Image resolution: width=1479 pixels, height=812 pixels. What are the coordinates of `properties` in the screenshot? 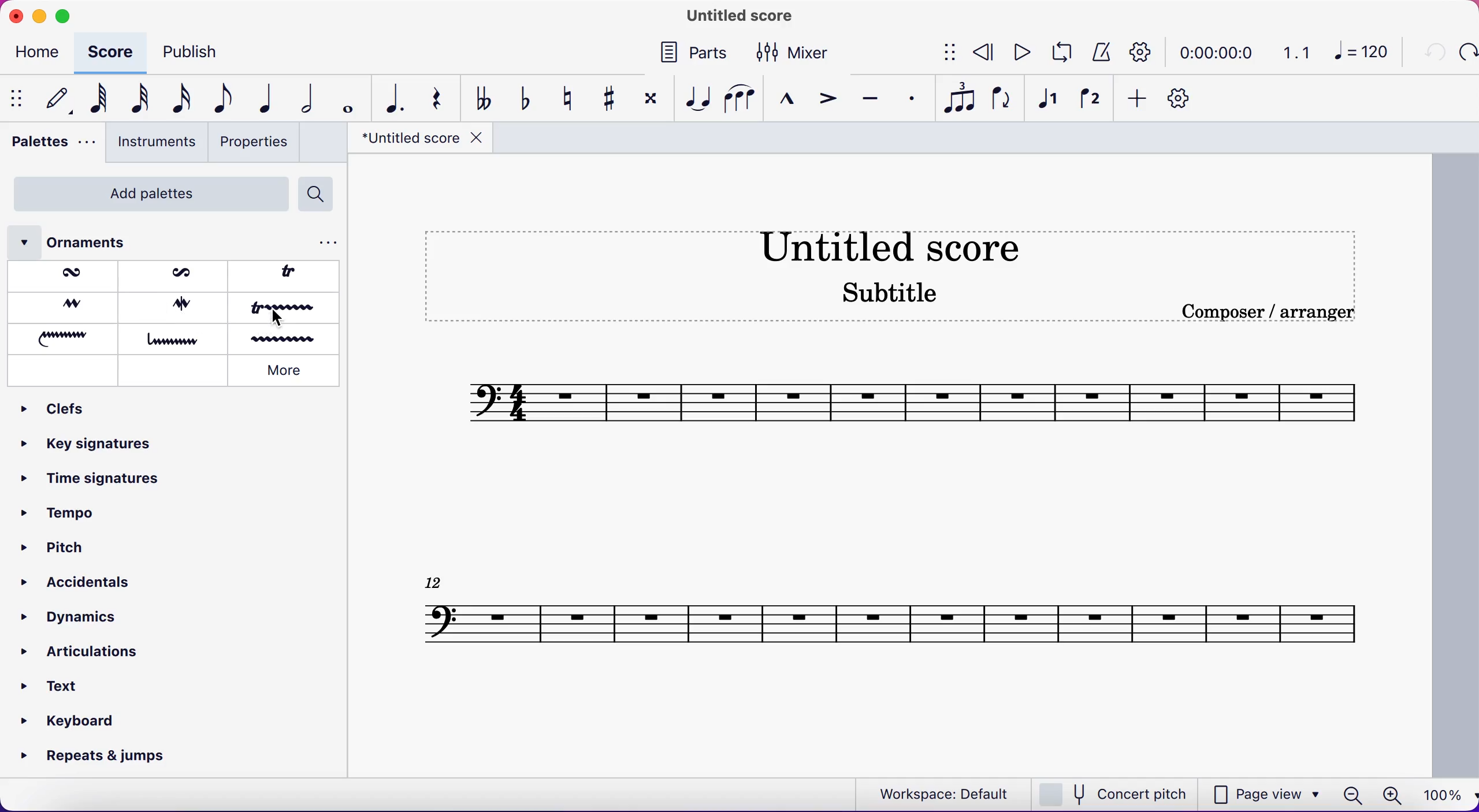 It's located at (257, 144).